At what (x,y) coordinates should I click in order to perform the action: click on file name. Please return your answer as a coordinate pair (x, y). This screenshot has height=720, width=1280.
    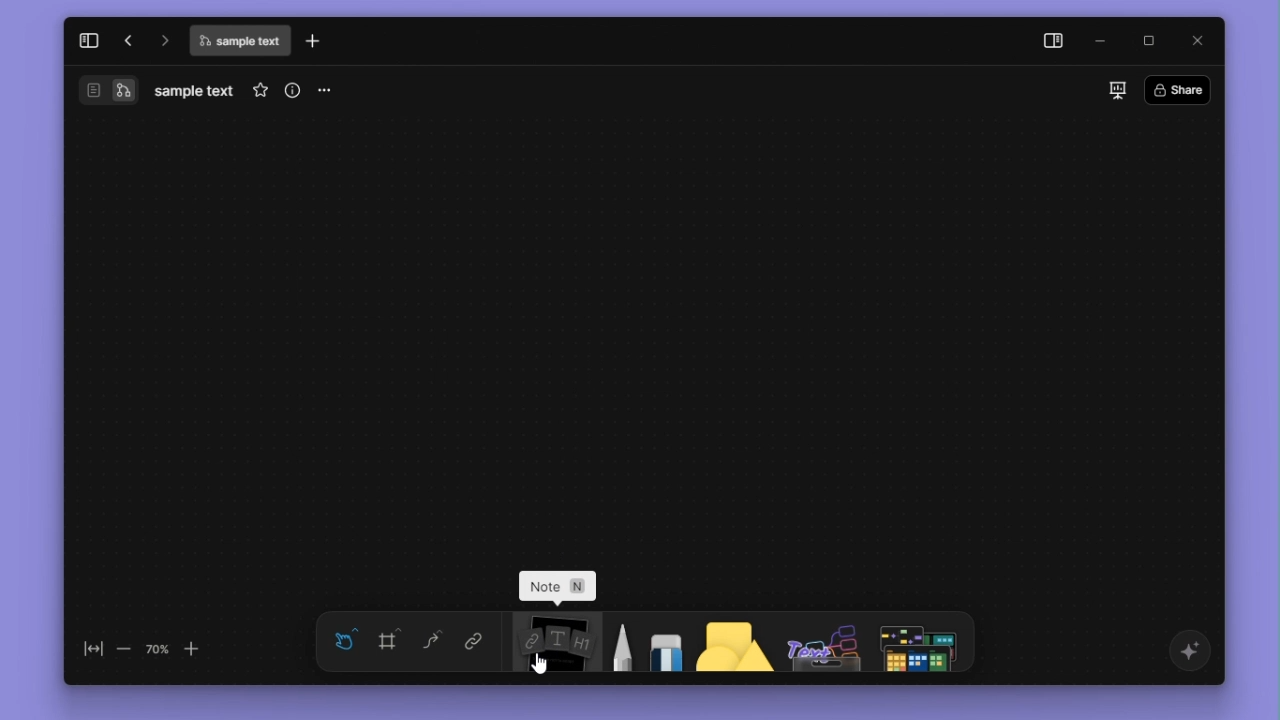
    Looking at the image, I should click on (239, 43).